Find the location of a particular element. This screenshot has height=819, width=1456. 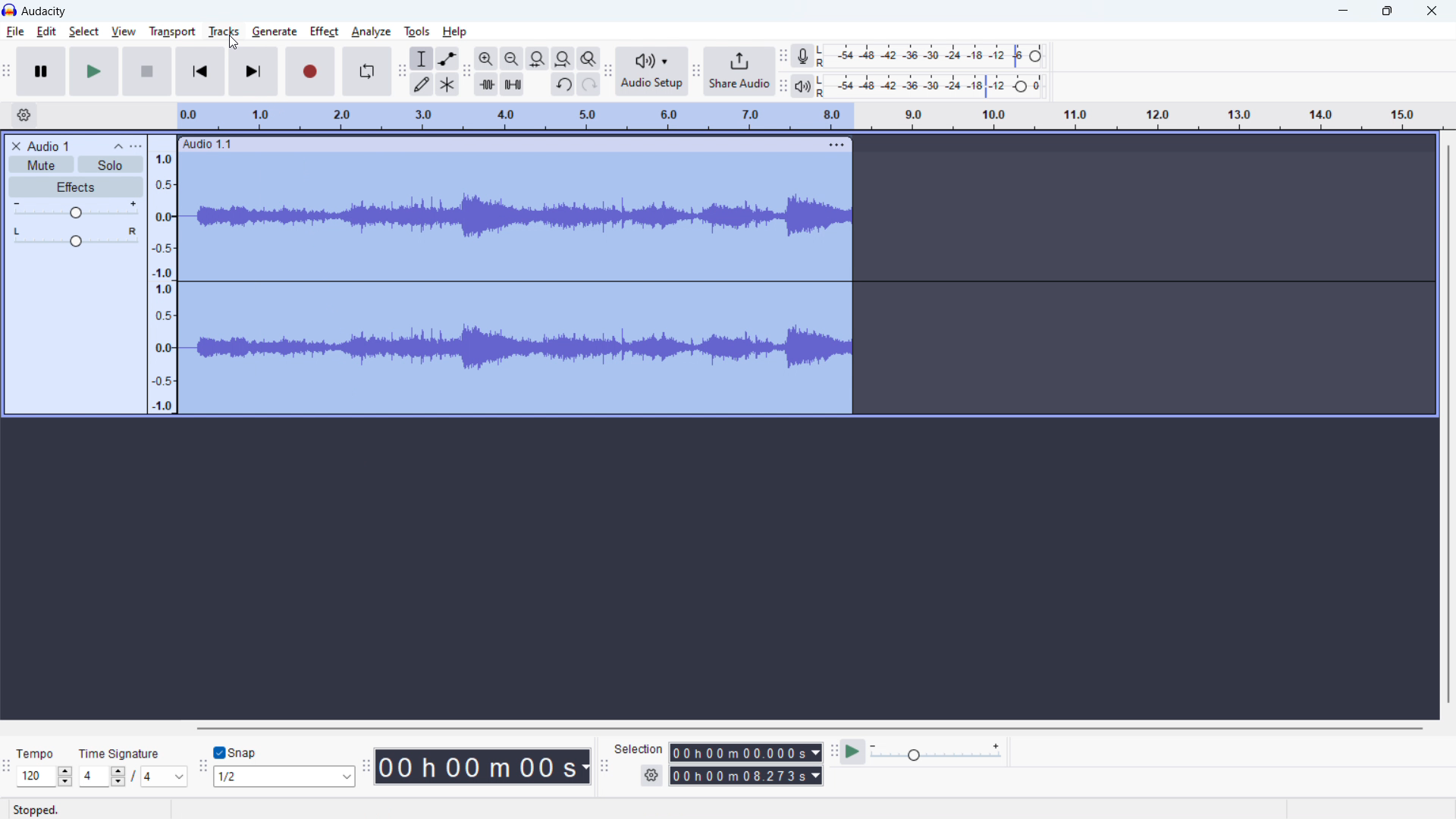

time signature toolbar is located at coordinates (7, 767).